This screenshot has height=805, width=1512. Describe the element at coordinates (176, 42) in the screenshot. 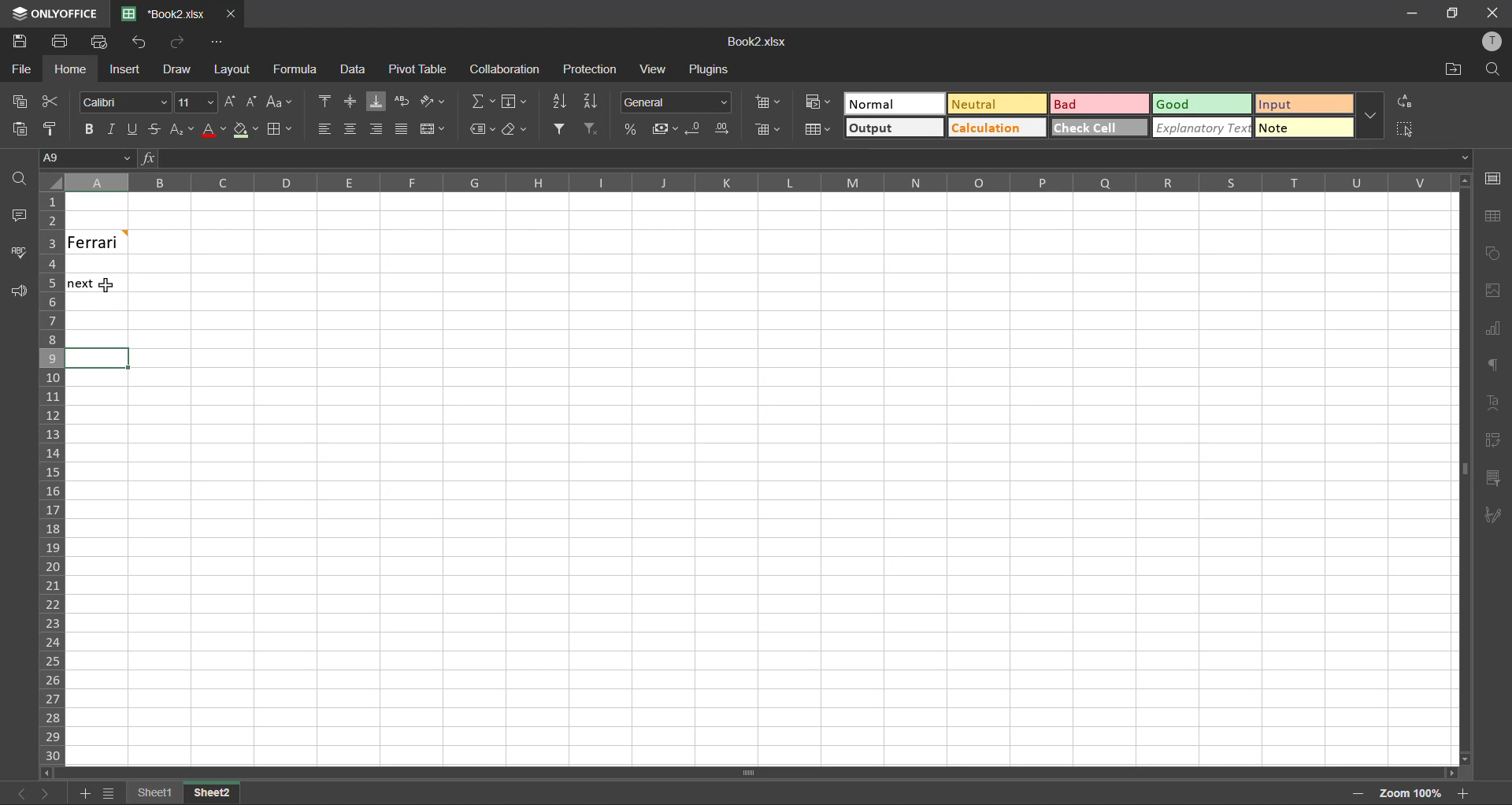

I see `redo` at that location.